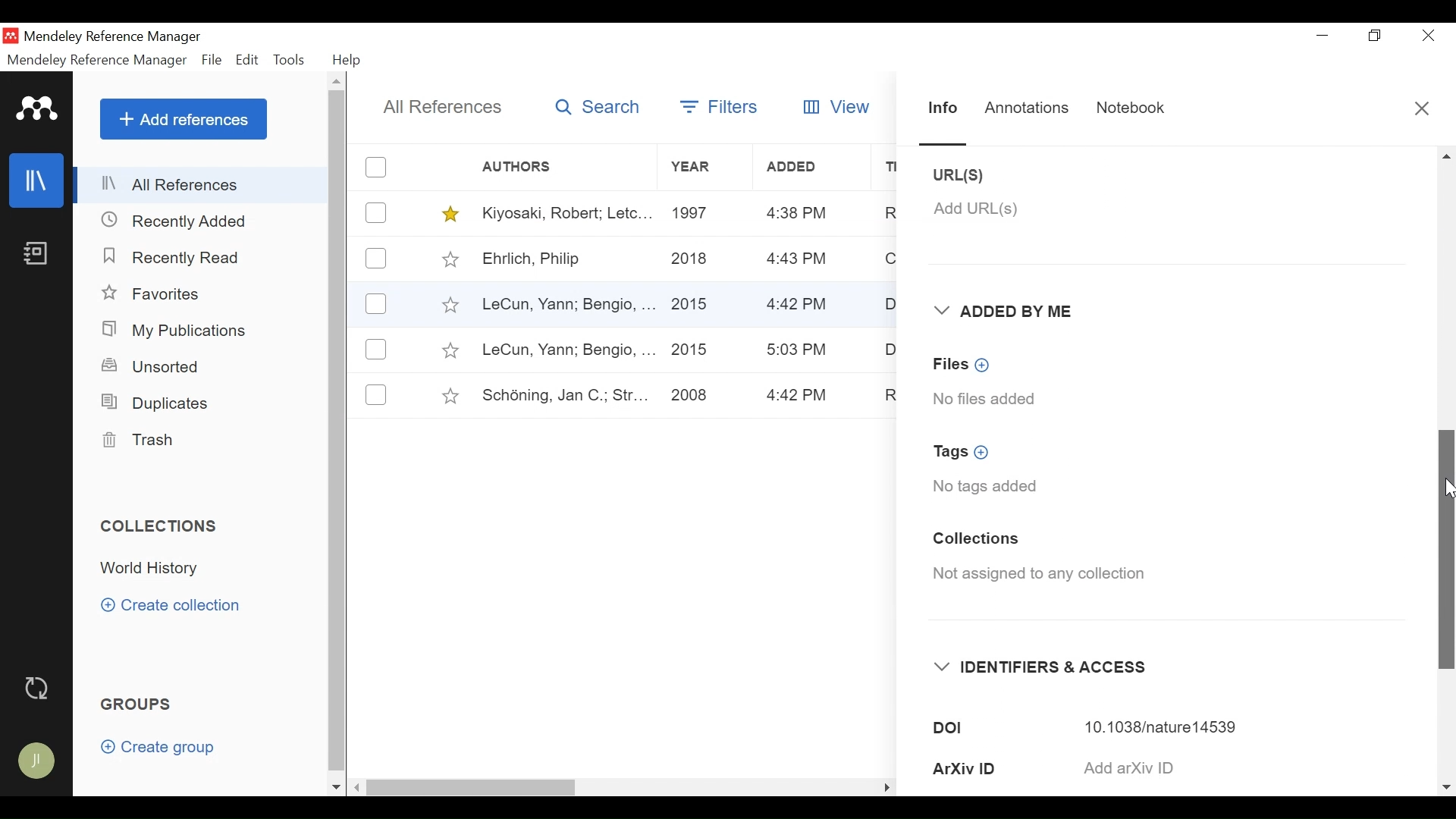  What do you see at coordinates (450, 396) in the screenshot?
I see `Toggle Favorites` at bounding box center [450, 396].